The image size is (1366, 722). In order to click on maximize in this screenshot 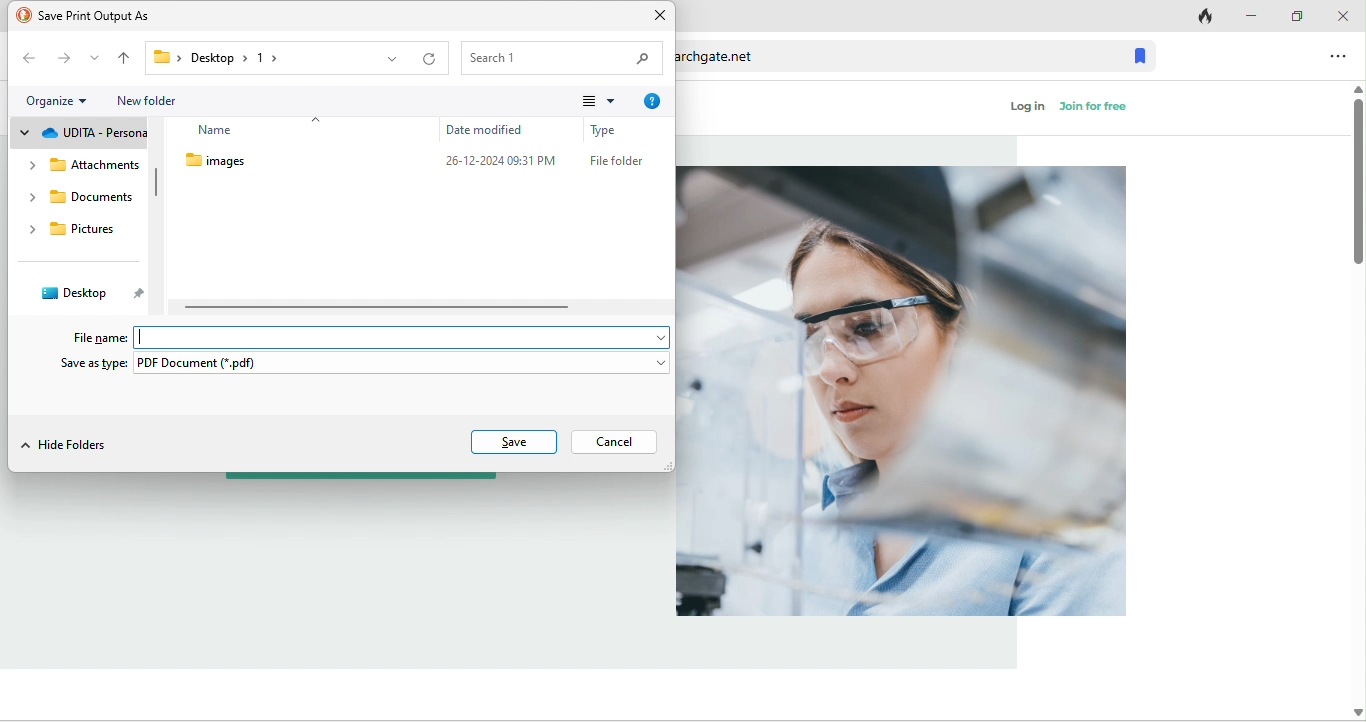, I will do `click(1290, 14)`.